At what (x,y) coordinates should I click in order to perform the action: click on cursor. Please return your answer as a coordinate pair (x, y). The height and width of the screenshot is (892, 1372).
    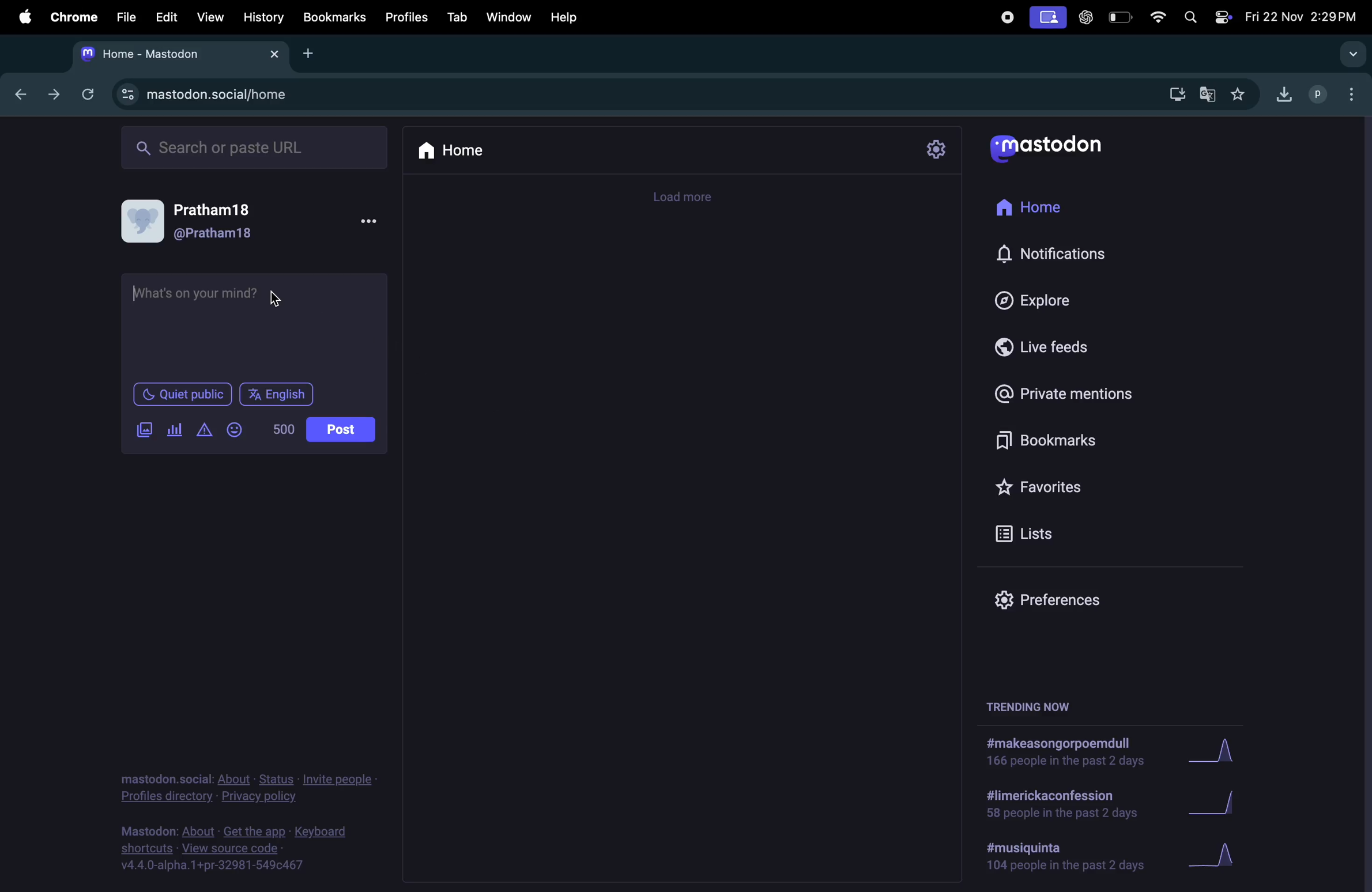
    Looking at the image, I should click on (280, 301).